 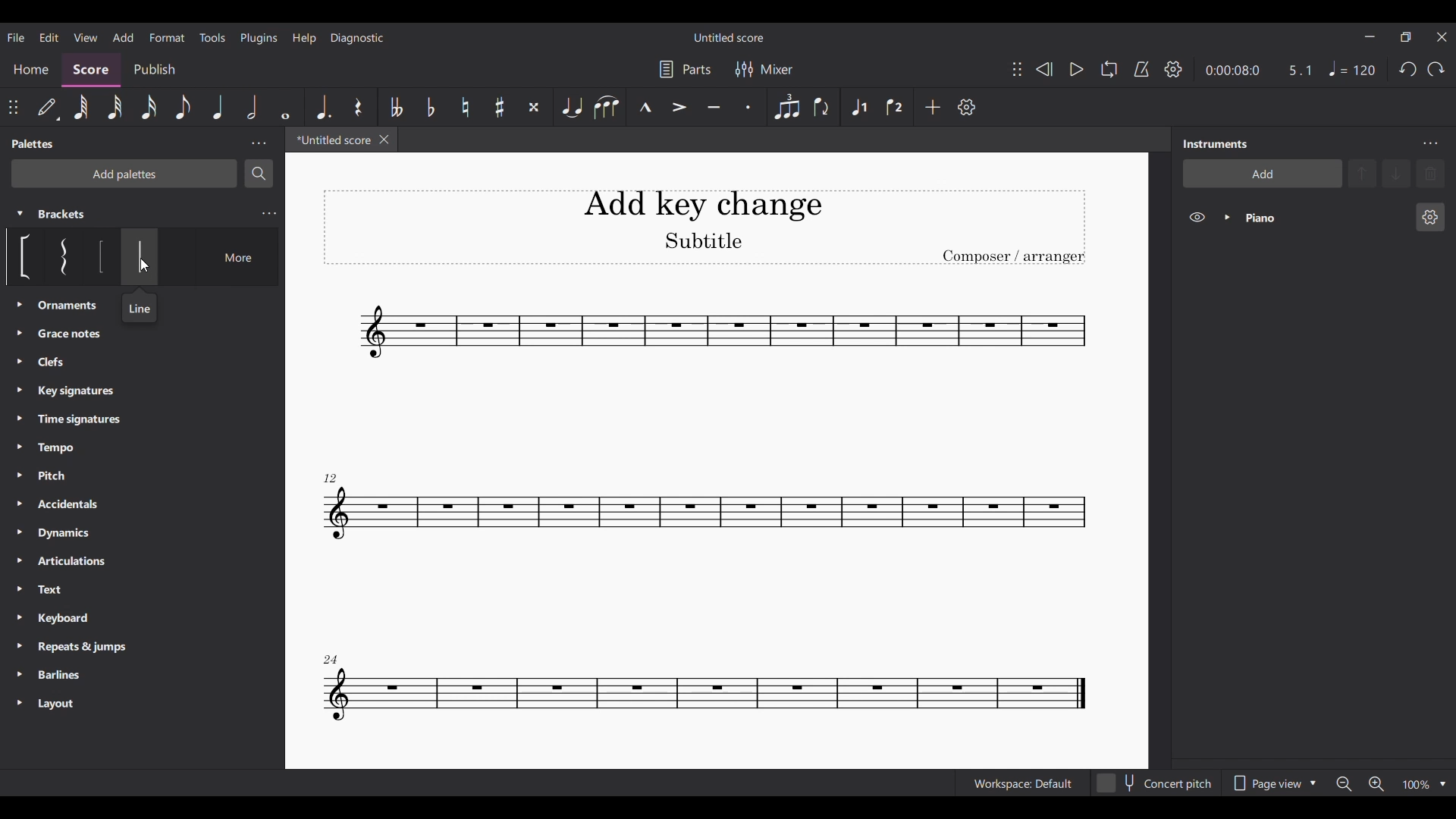 I want to click on 16th note, so click(x=149, y=108).